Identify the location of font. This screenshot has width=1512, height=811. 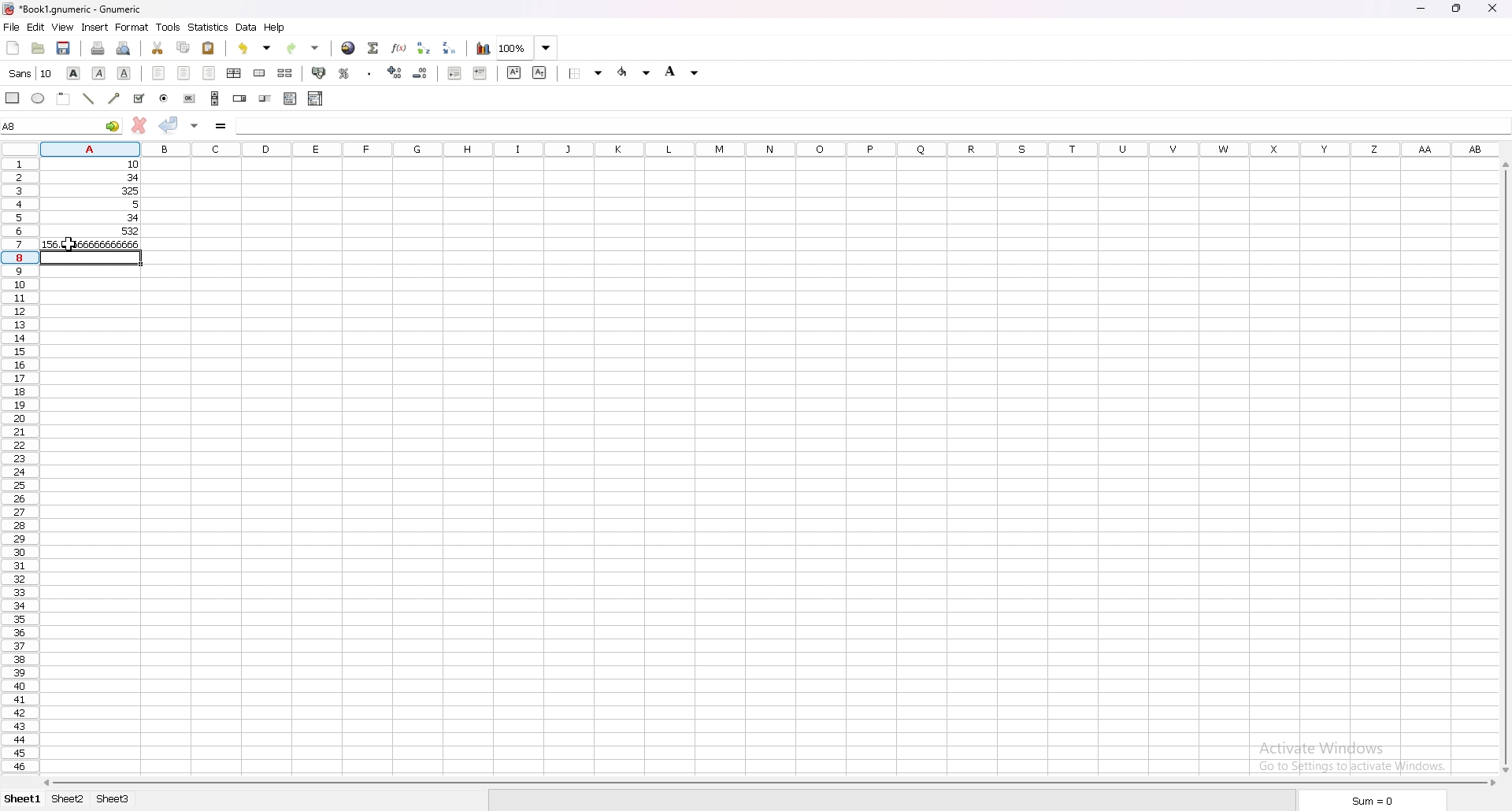
(31, 72).